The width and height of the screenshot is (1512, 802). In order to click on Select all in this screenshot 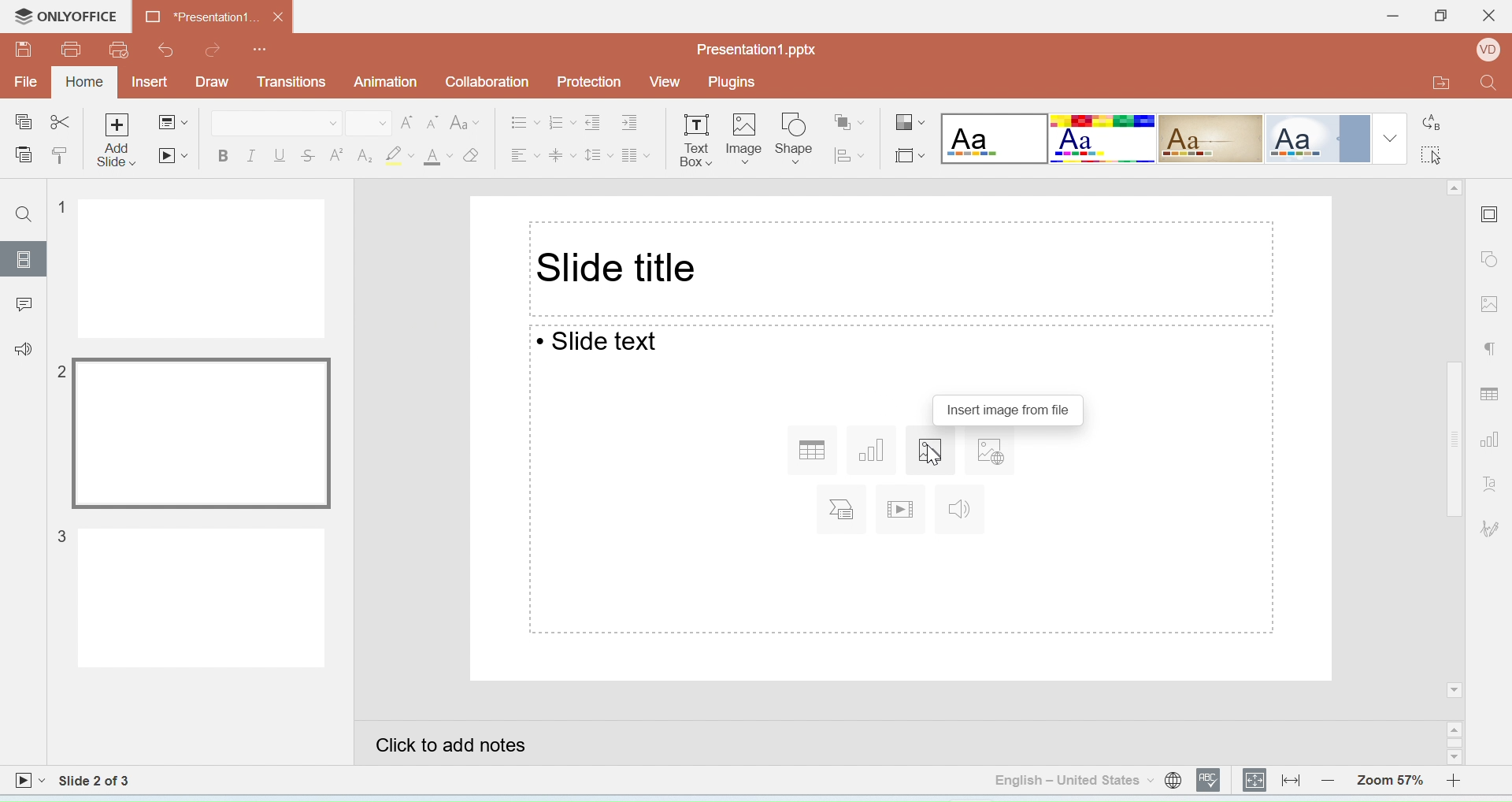, I will do `click(1437, 153)`.